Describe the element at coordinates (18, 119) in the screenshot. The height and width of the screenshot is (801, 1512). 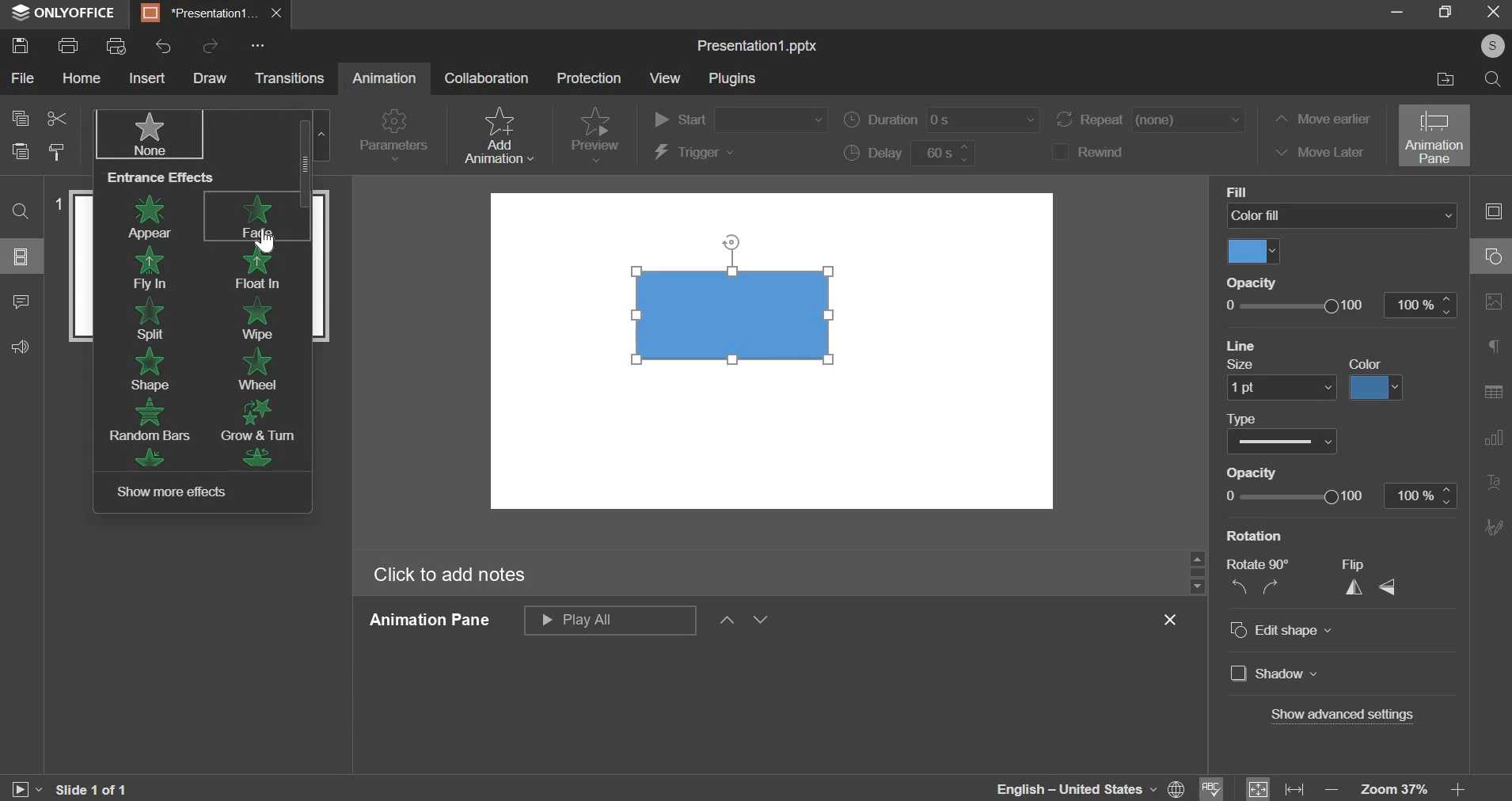
I see `copy` at that location.